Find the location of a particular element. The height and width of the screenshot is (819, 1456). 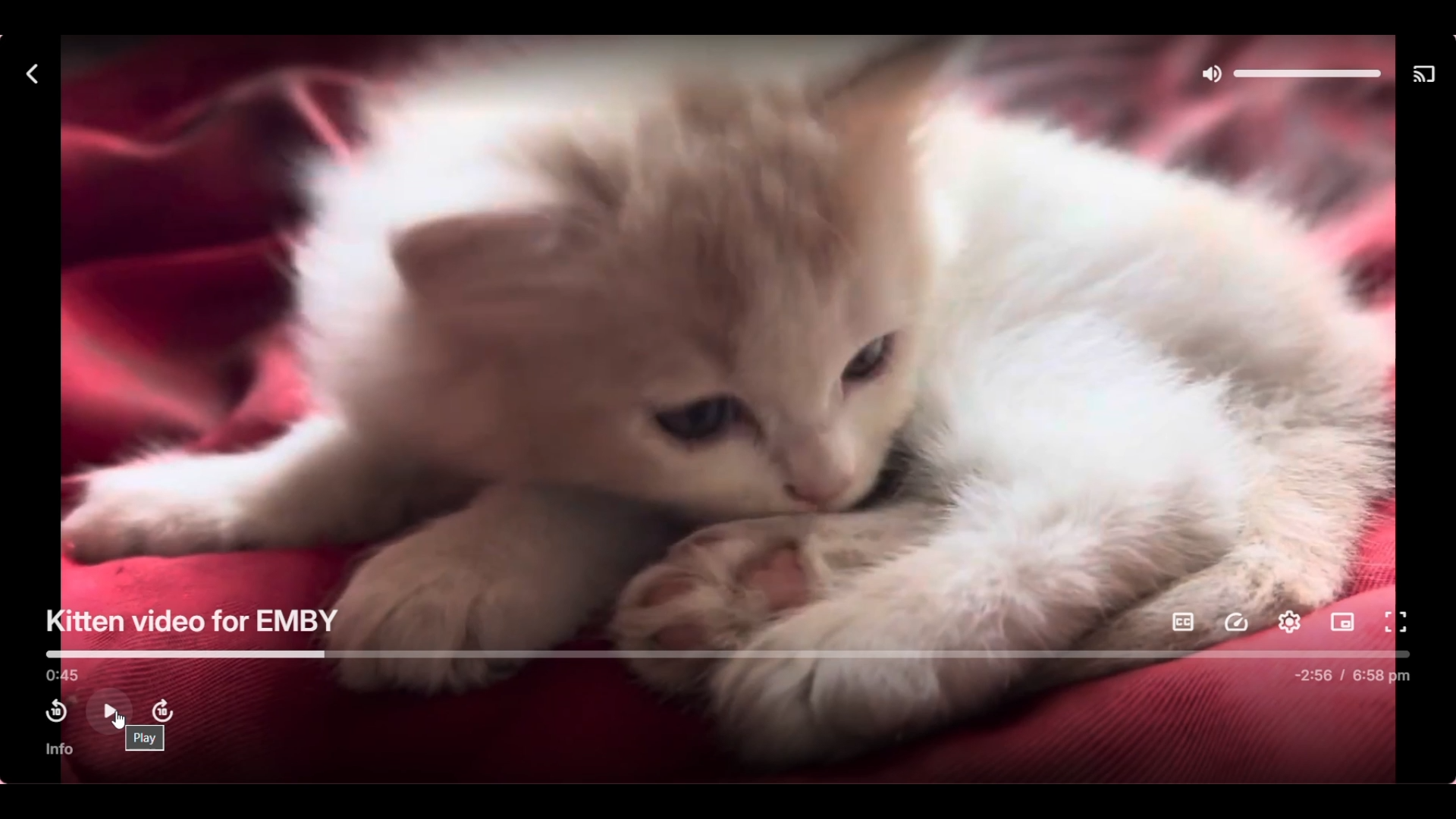

Fast-forward by 10 seconds is located at coordinates (162, 711).